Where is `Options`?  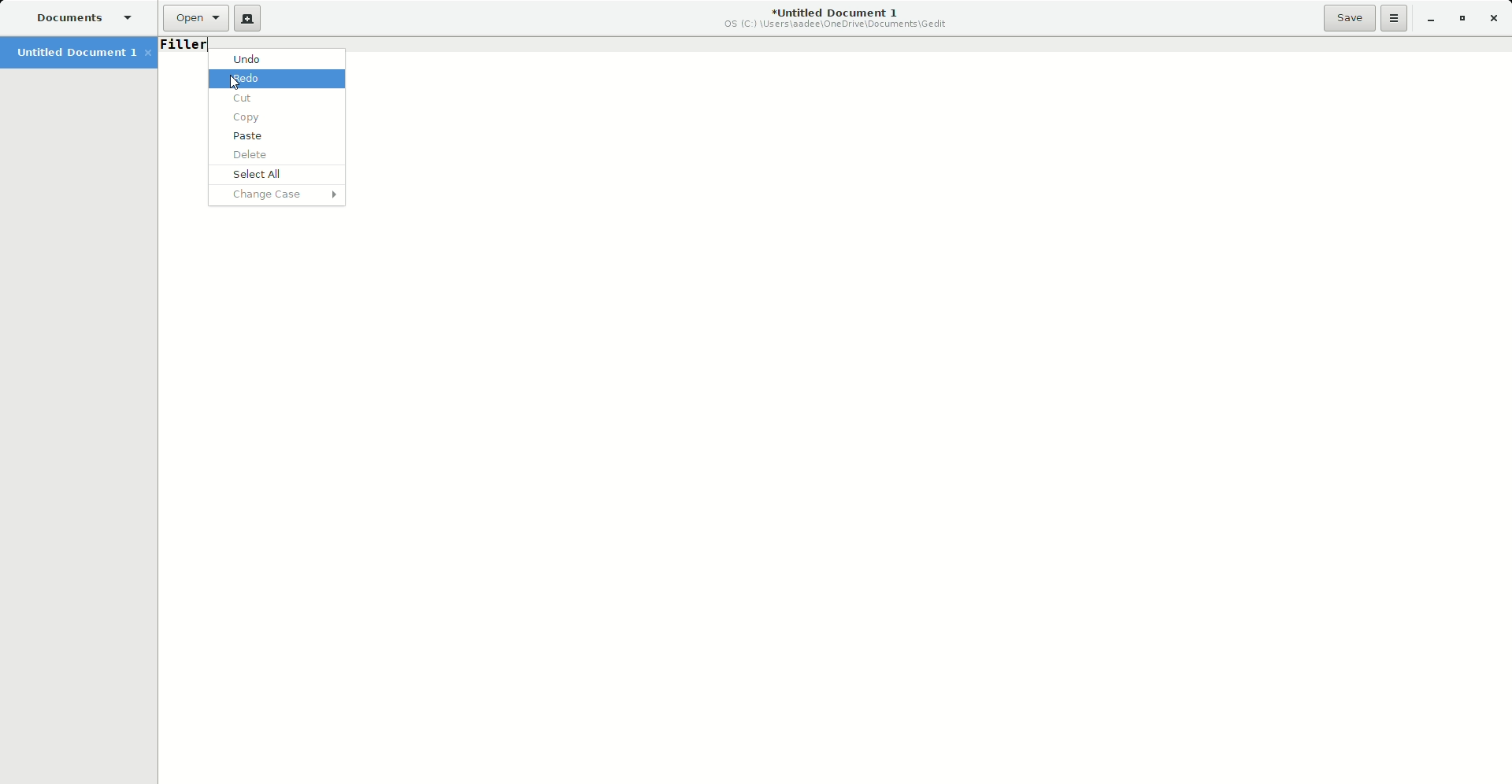 Options is located at coordinates (1395, 18).